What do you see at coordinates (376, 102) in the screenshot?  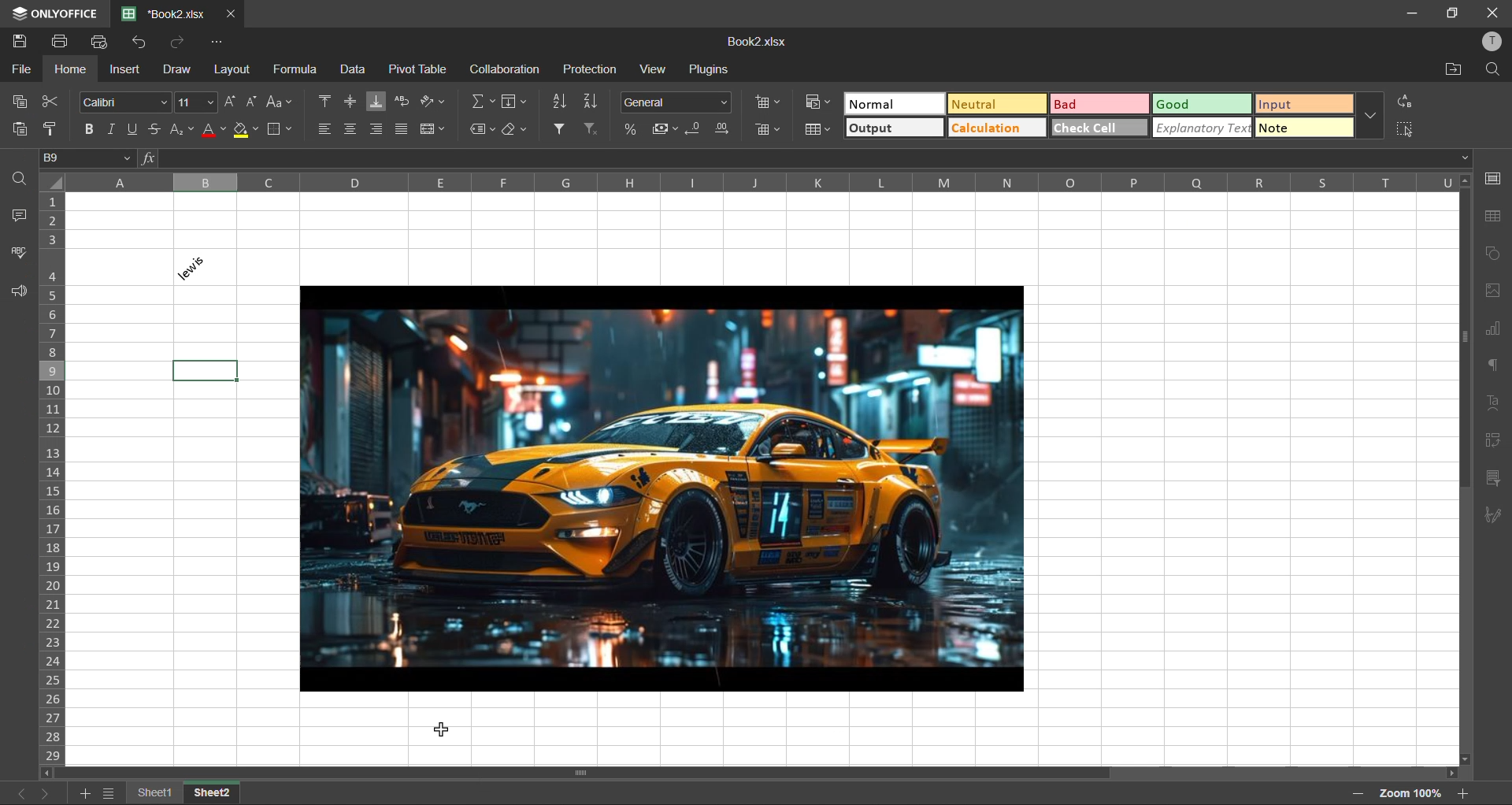 I see `align bottom` at bounding box center [376, 102].